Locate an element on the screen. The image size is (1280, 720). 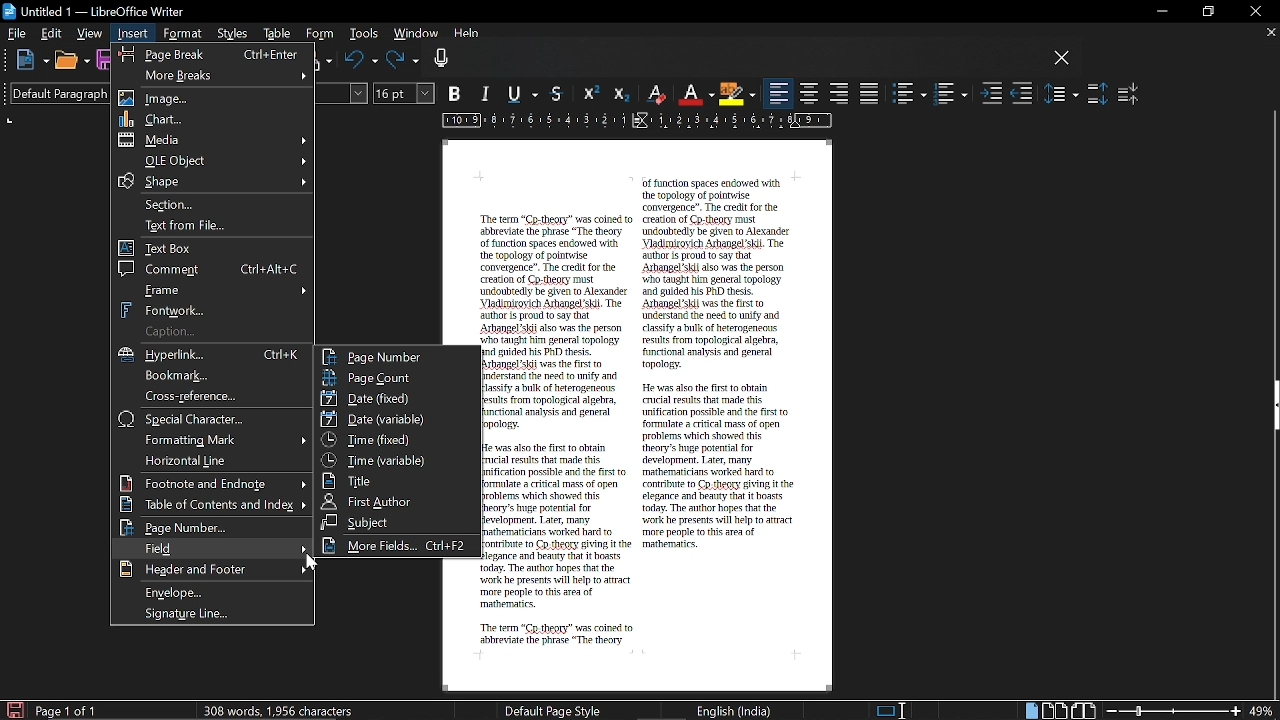
Align left is located at coordinates (779, 94).